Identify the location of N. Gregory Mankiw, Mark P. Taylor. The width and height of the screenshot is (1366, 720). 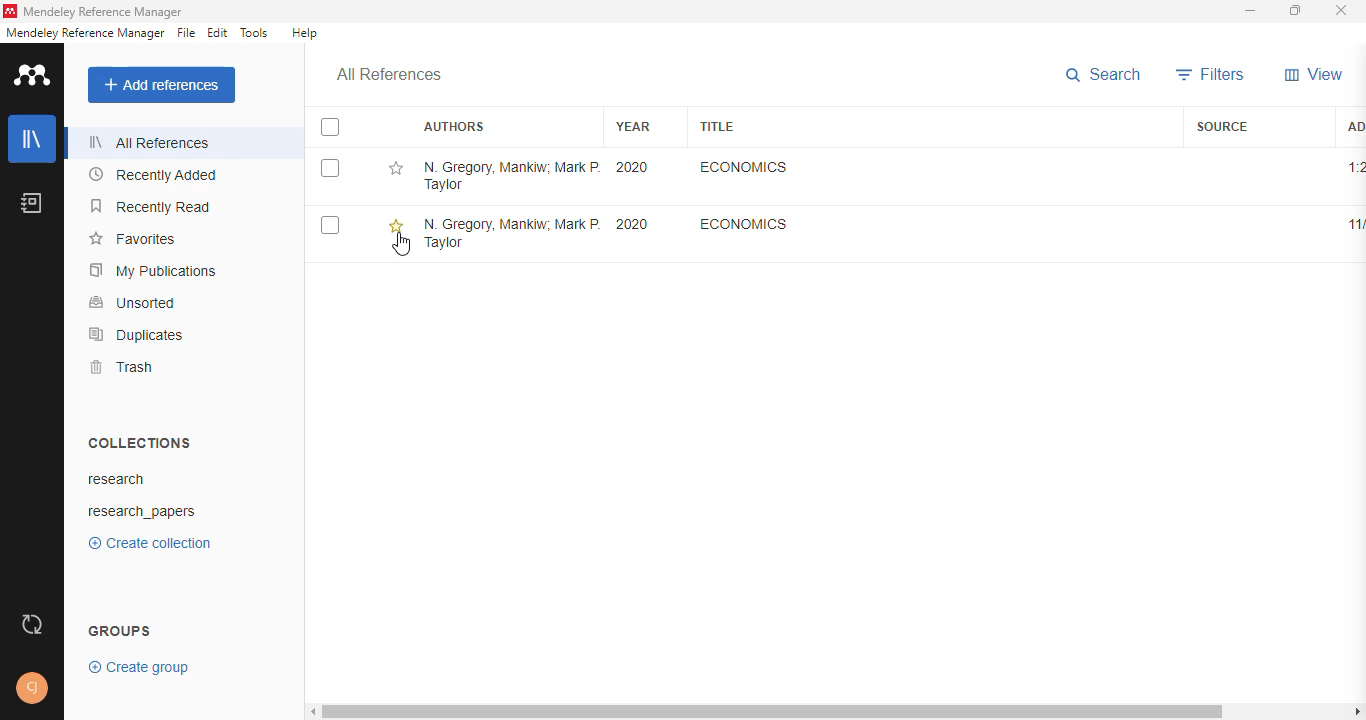
(511, 232).